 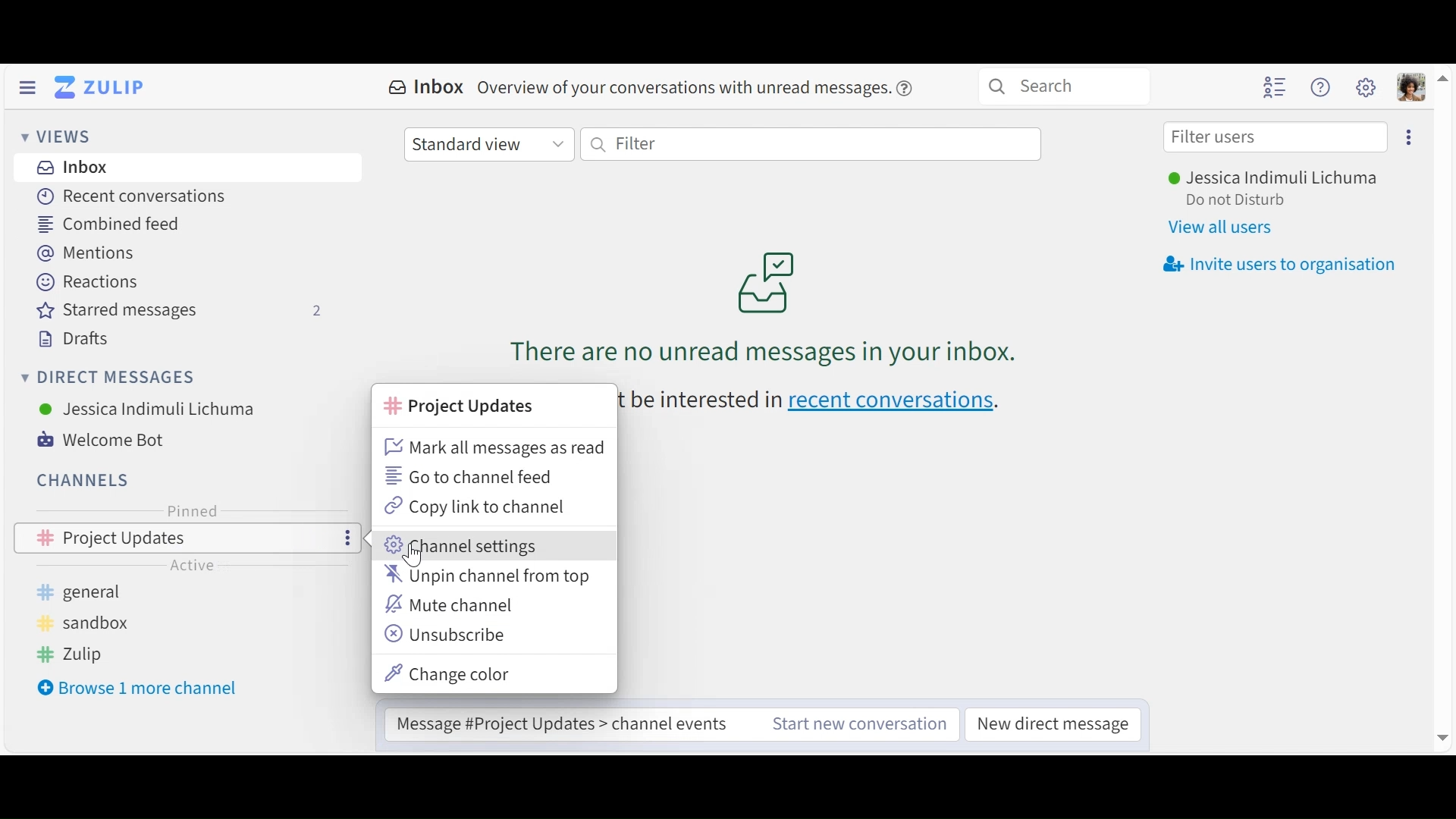 What do you see at coordinates (133, 196) in the screenshot?
I see `Recent Conversations` at bounding box center [133, 196].